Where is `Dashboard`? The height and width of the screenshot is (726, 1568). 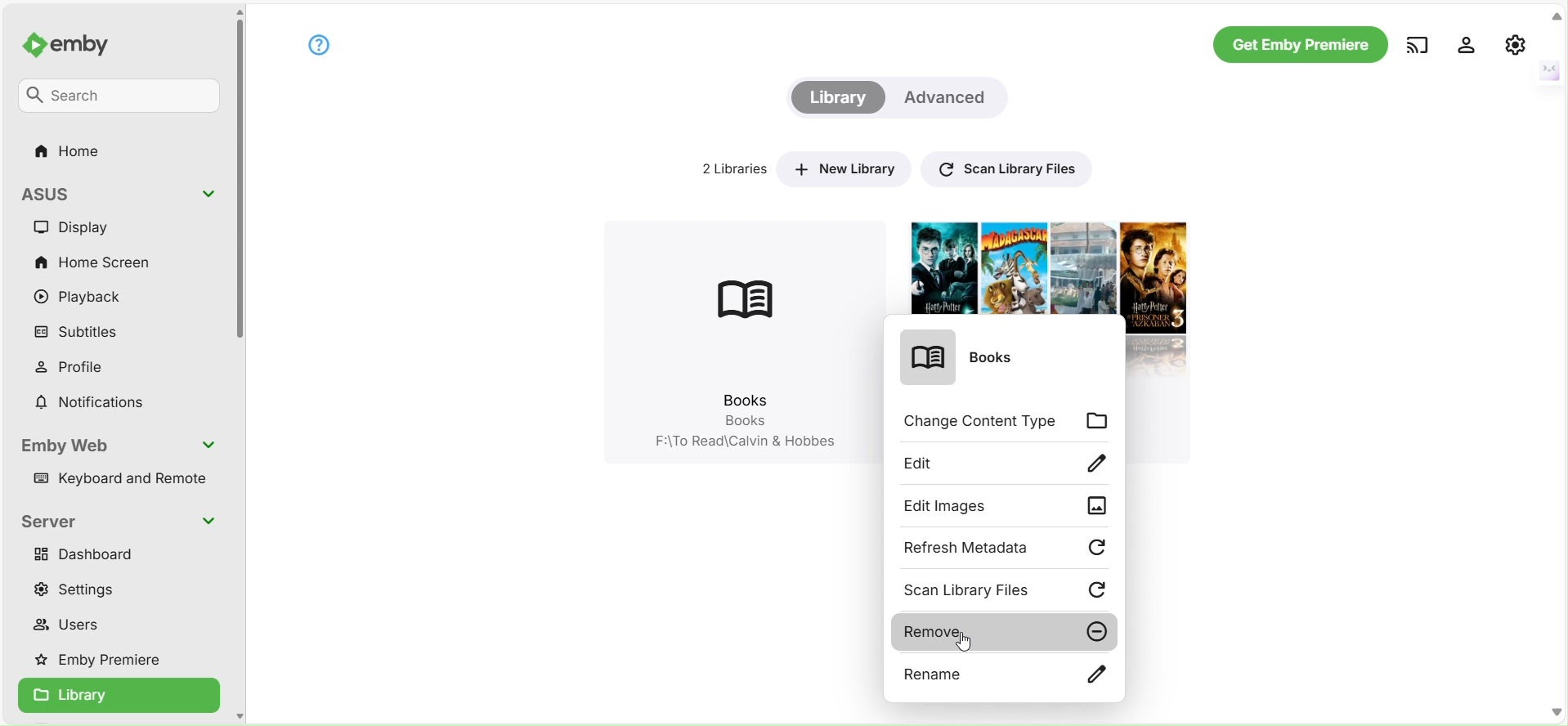
Dashboard is located at coordinates (90, 553).